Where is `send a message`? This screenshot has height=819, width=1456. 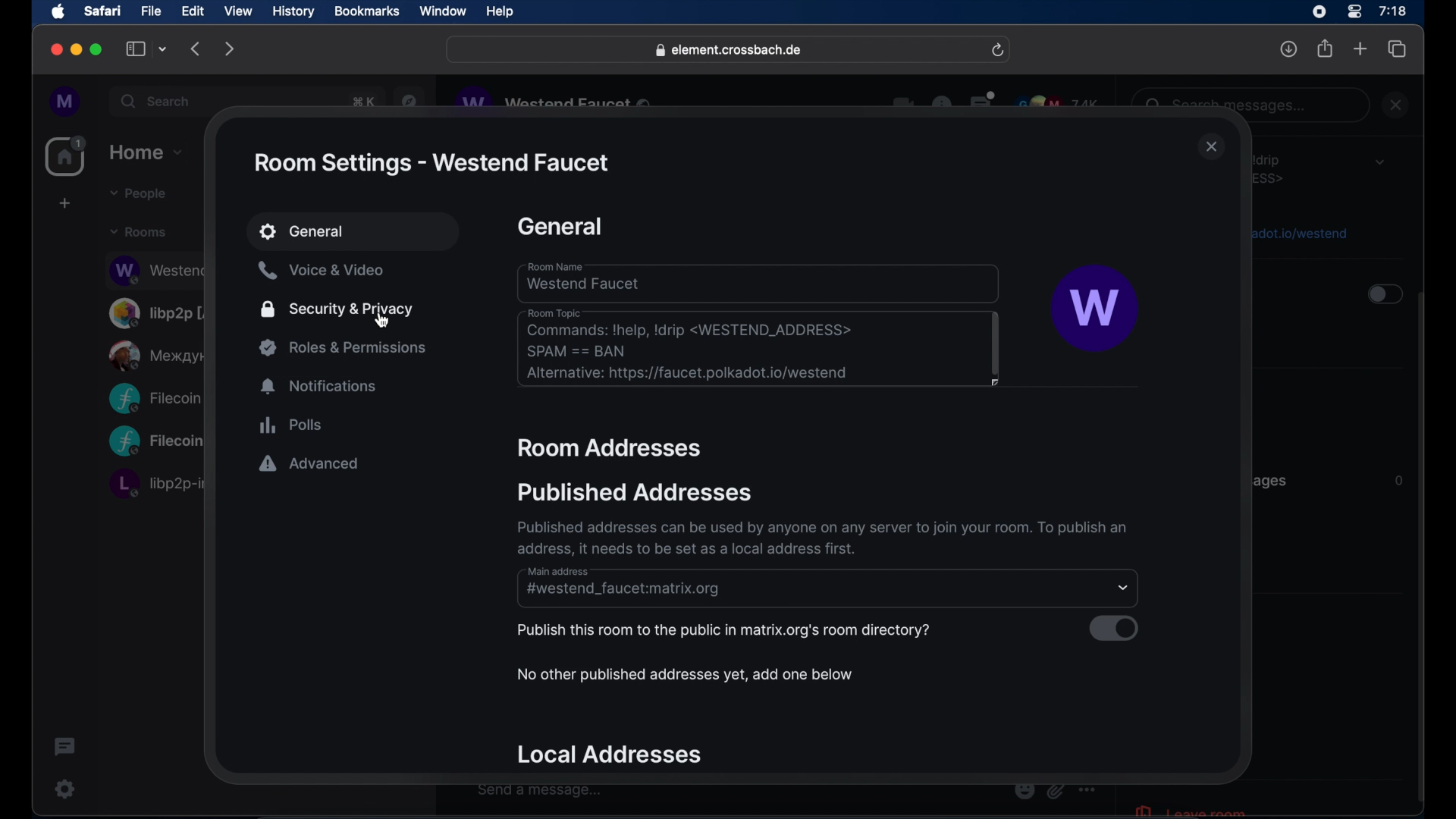 send a message is located at coordinates (540, 790).